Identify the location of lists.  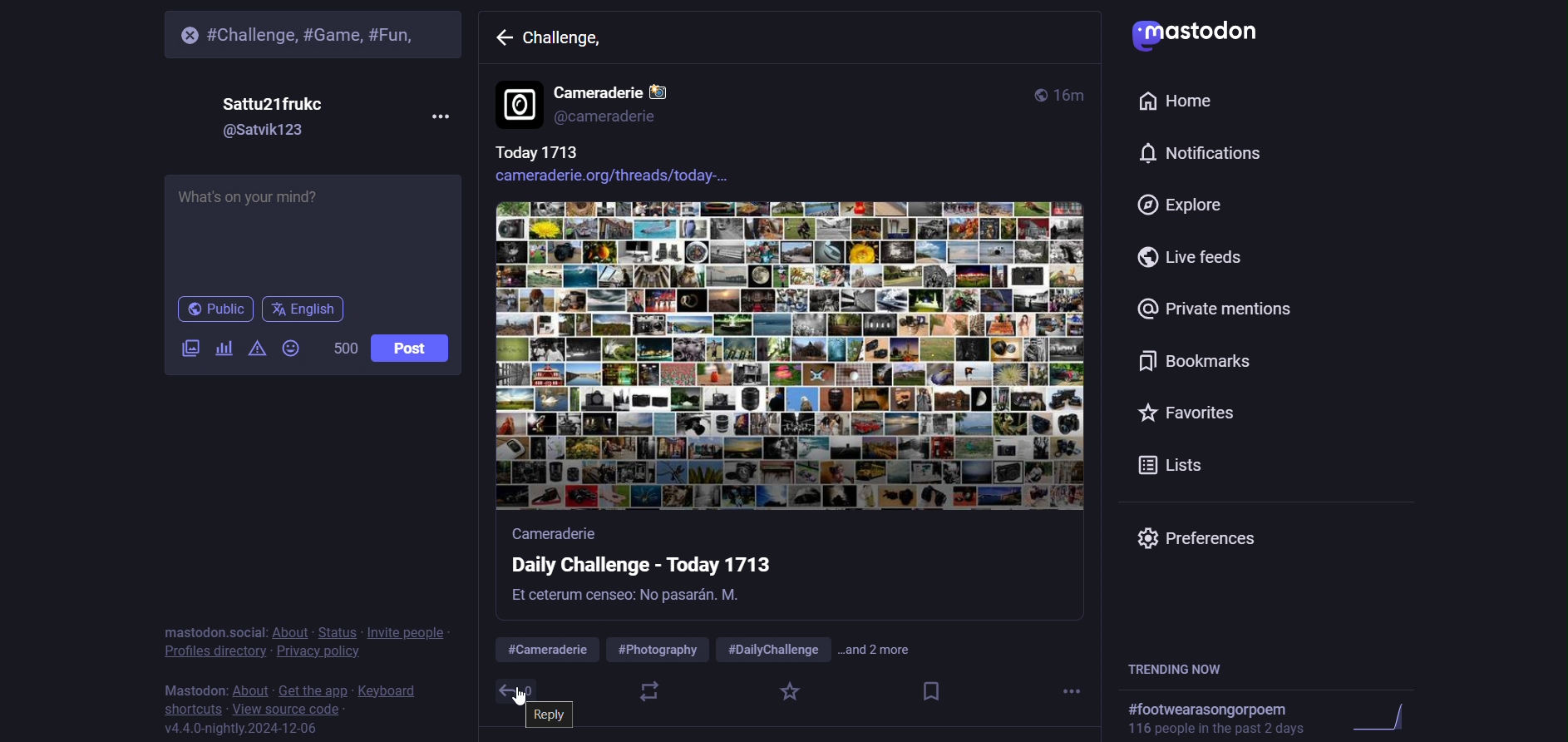
(1171, 463).